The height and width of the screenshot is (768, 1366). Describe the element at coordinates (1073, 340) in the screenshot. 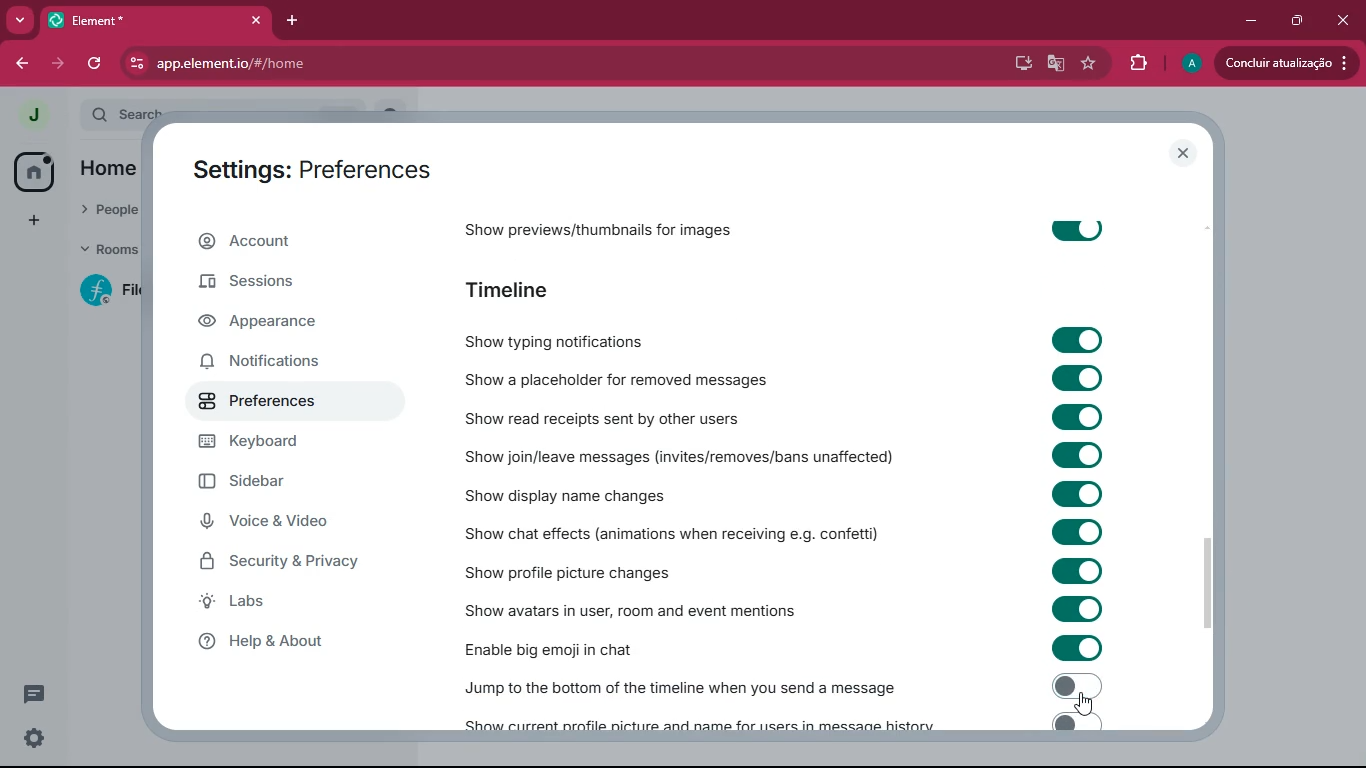

I see `toggle on ` at that location.